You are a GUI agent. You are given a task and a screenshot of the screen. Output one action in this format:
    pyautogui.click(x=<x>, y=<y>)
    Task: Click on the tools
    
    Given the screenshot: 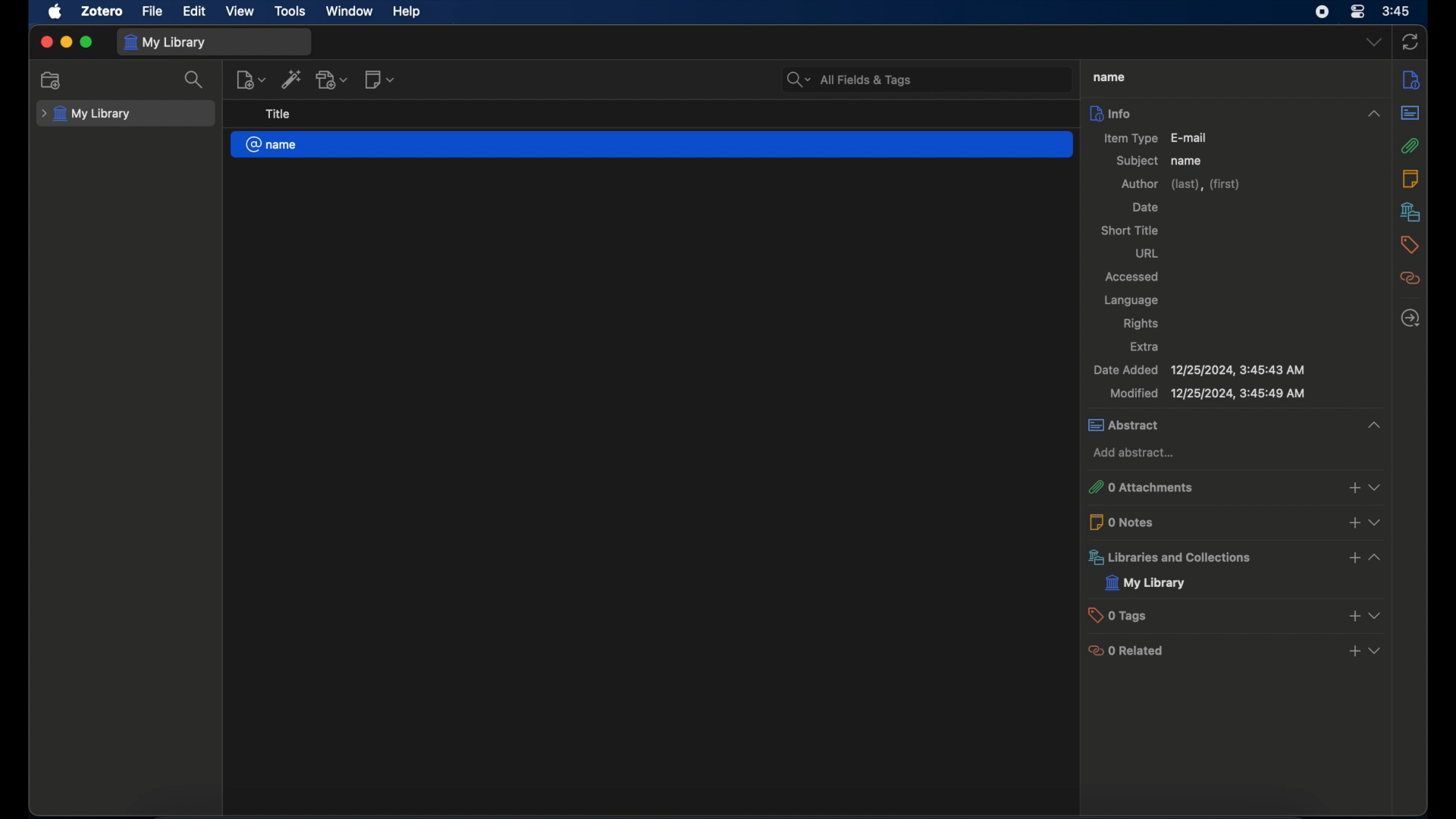 What is the action you would take?
    pyautogui.click(x=290, y=11)
    